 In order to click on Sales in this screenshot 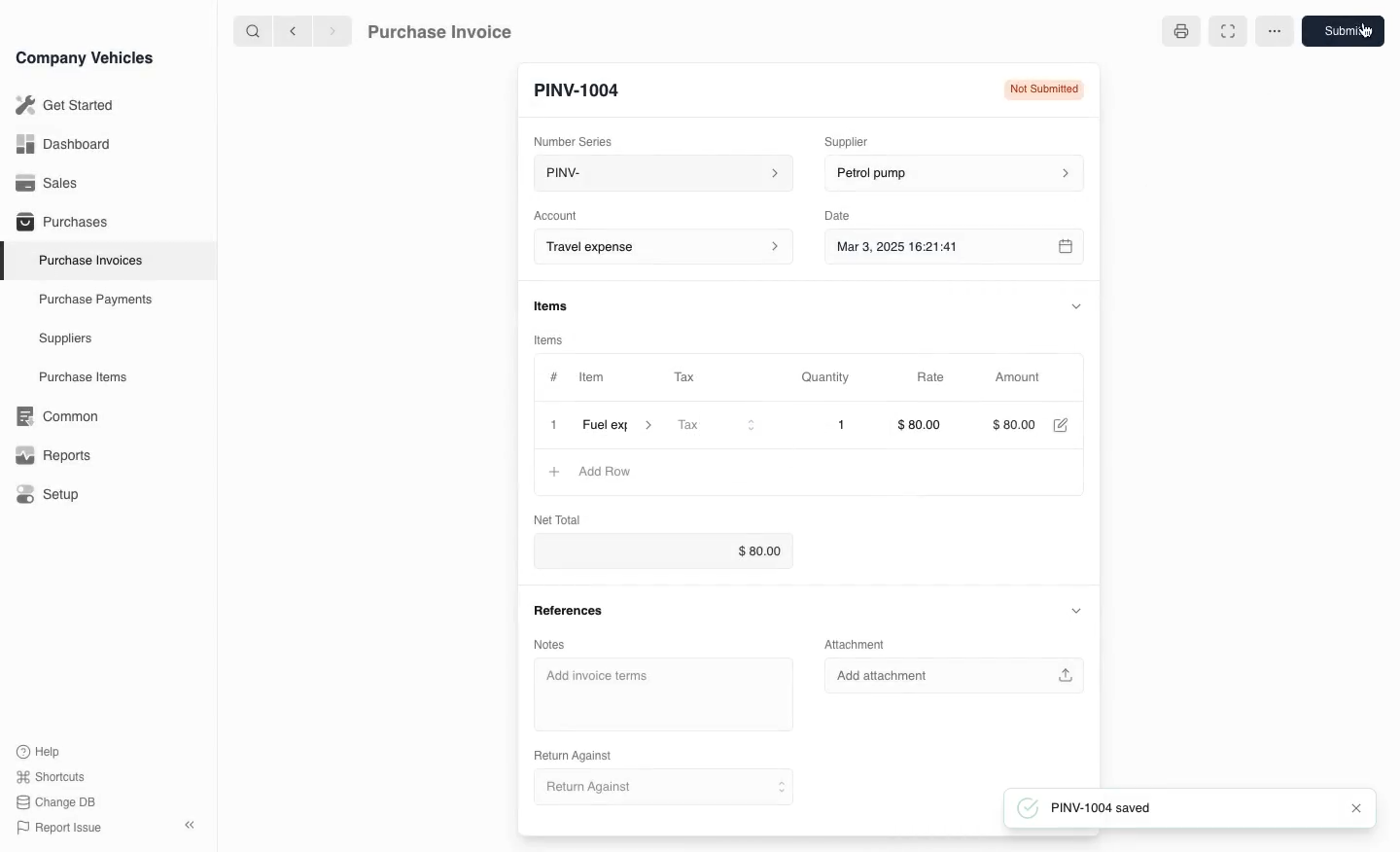, I will do `click(48, 183)`.